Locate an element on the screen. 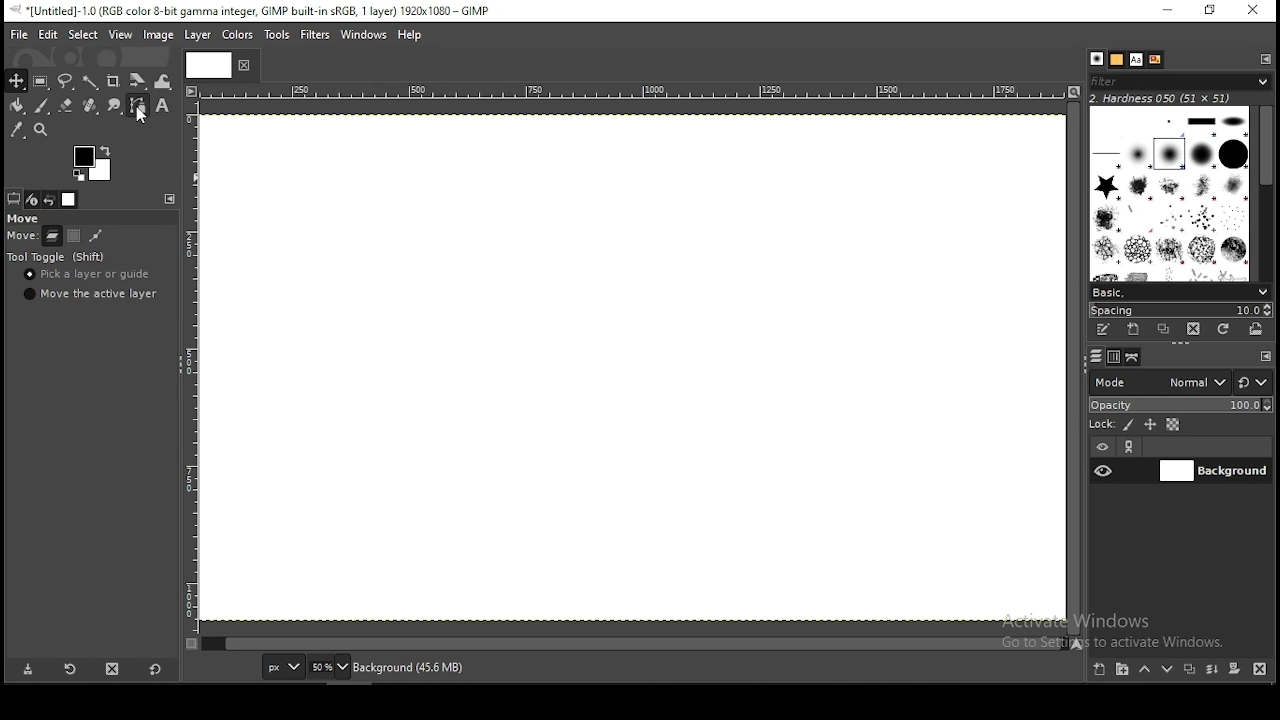 This screenshot has height=720, width=1280.  delete layer is located at coordinates (1259, 670).